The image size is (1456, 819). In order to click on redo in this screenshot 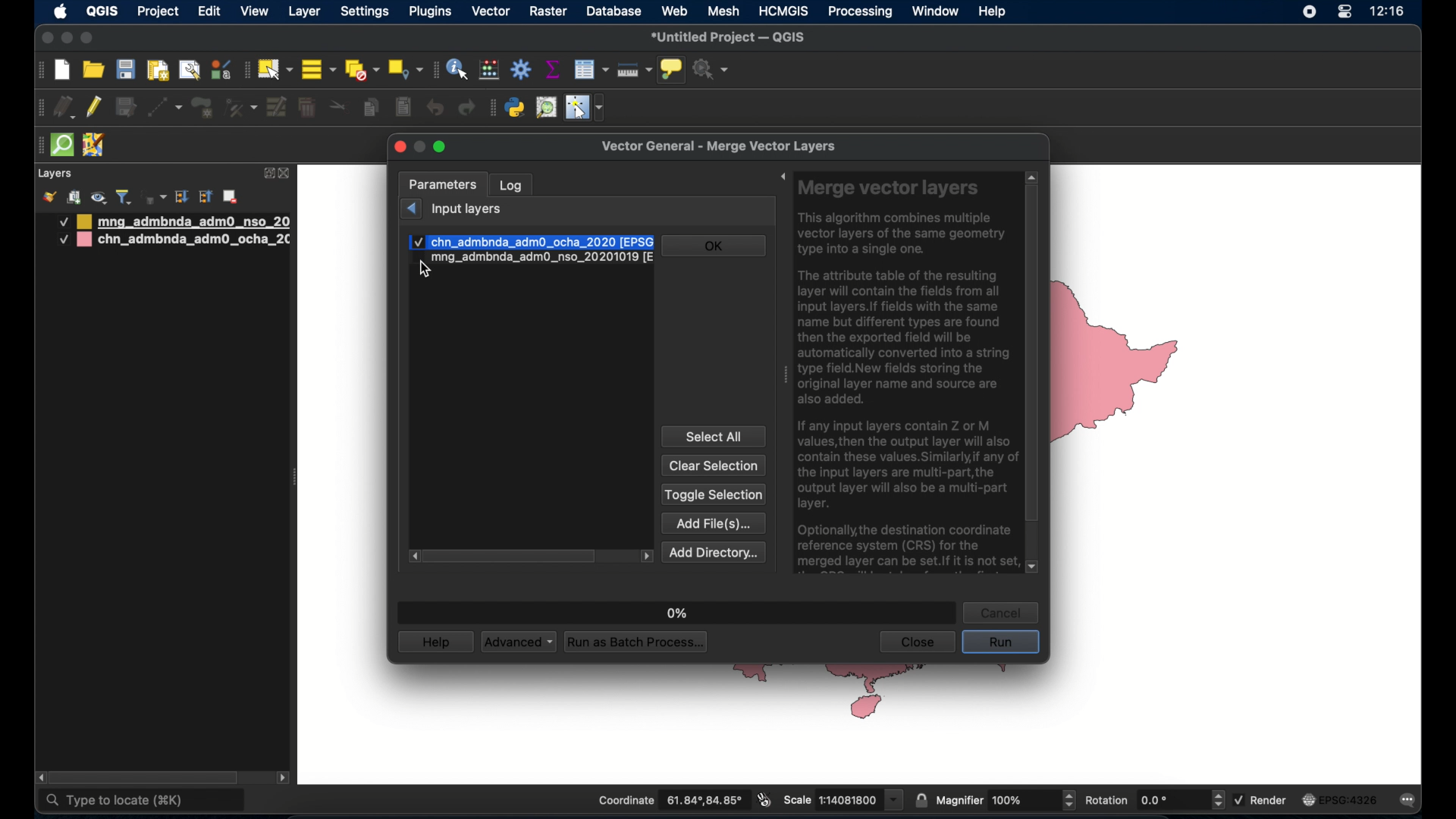, I will do `click(466, 108)`.